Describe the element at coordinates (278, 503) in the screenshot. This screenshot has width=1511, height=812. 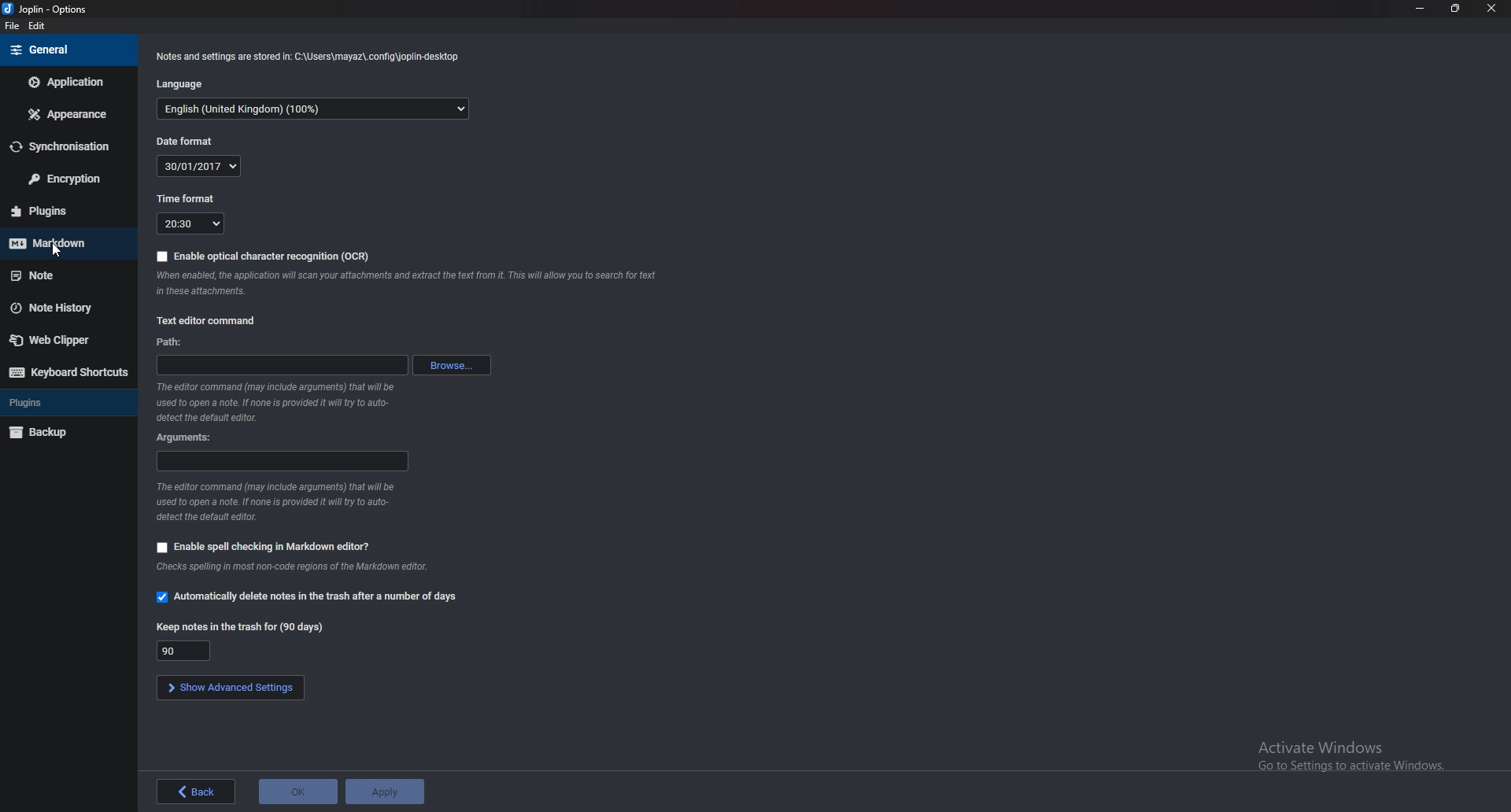
I see `The editor command (may include arguments) that will be used to open a note. If none is provided it will ry to auto-detect the default editor.` at that location.